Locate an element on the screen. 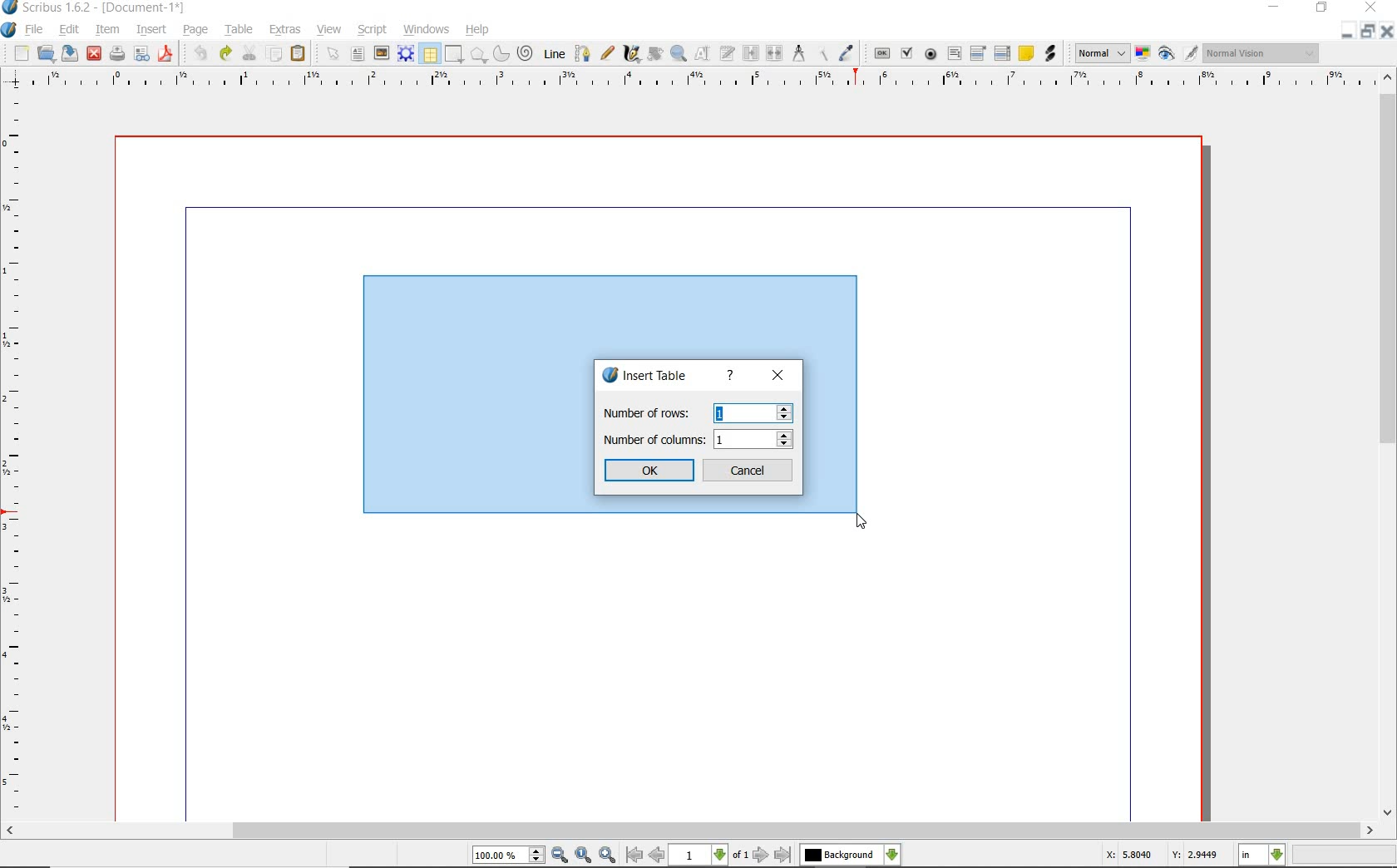  number of rows is located at coordinates (695, 412).